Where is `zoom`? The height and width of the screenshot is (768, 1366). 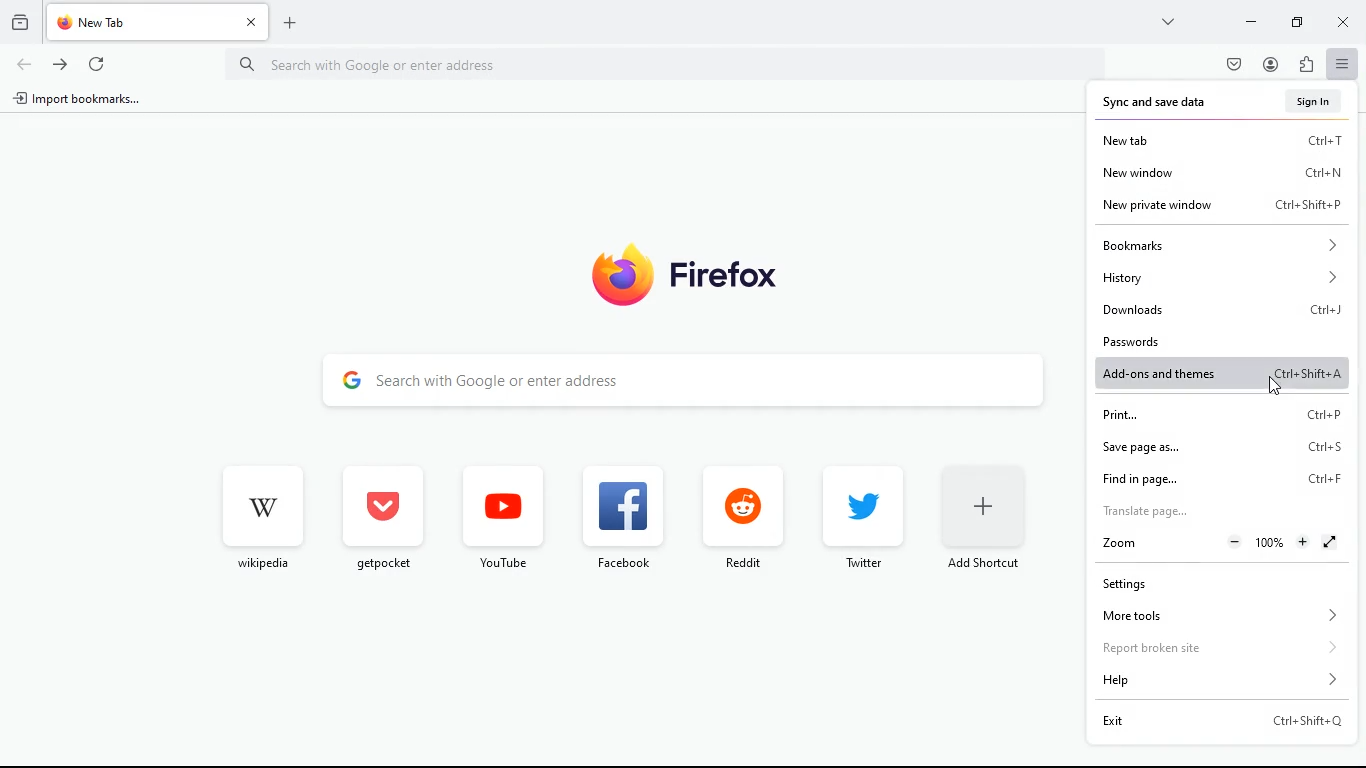 zoom is located at coordinates (1214, 543).